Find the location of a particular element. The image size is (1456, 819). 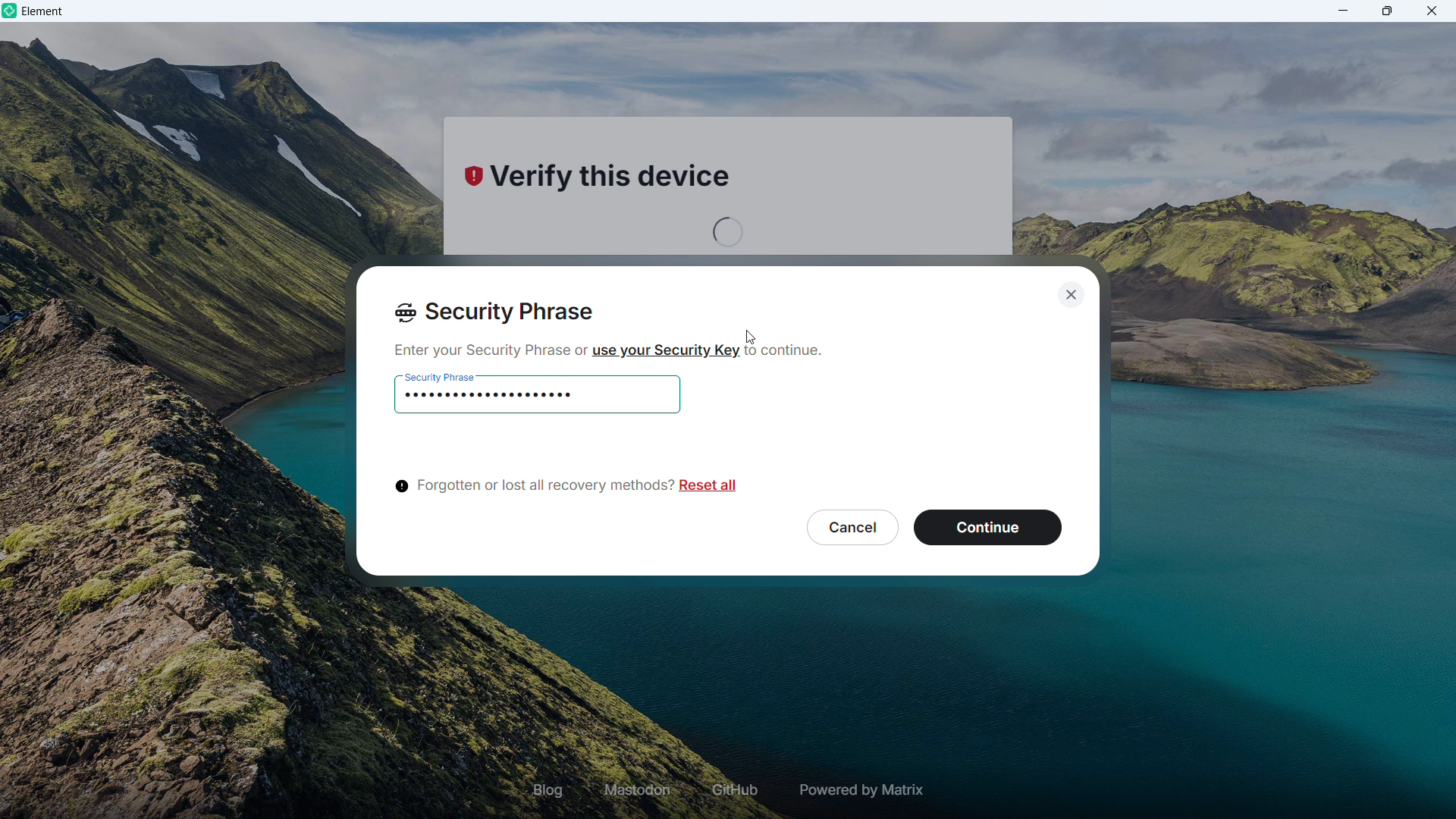

Security phrase typed in  is located at coordinates (495, 394).